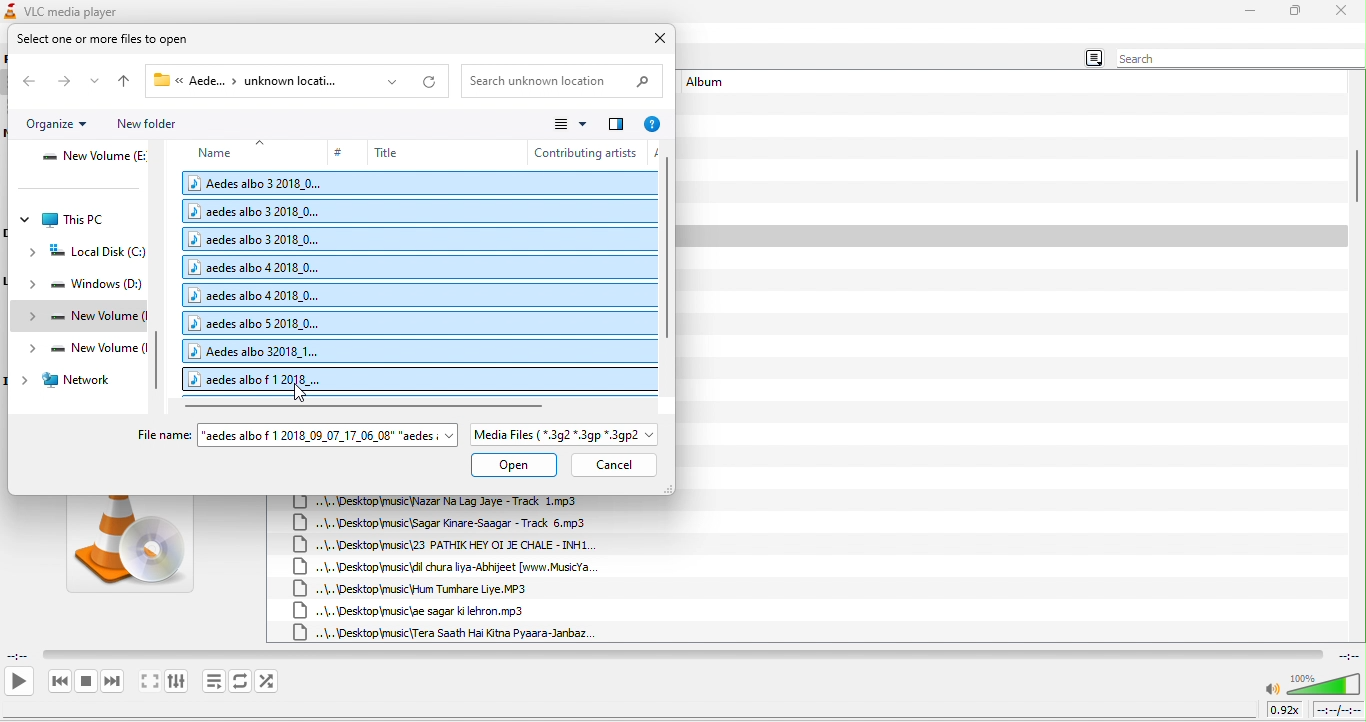 The width and height of the screenshot is (1366, 722). Describe the element at coordinates (176, 682) in the screenshot. I see `show extended settings` at that location.